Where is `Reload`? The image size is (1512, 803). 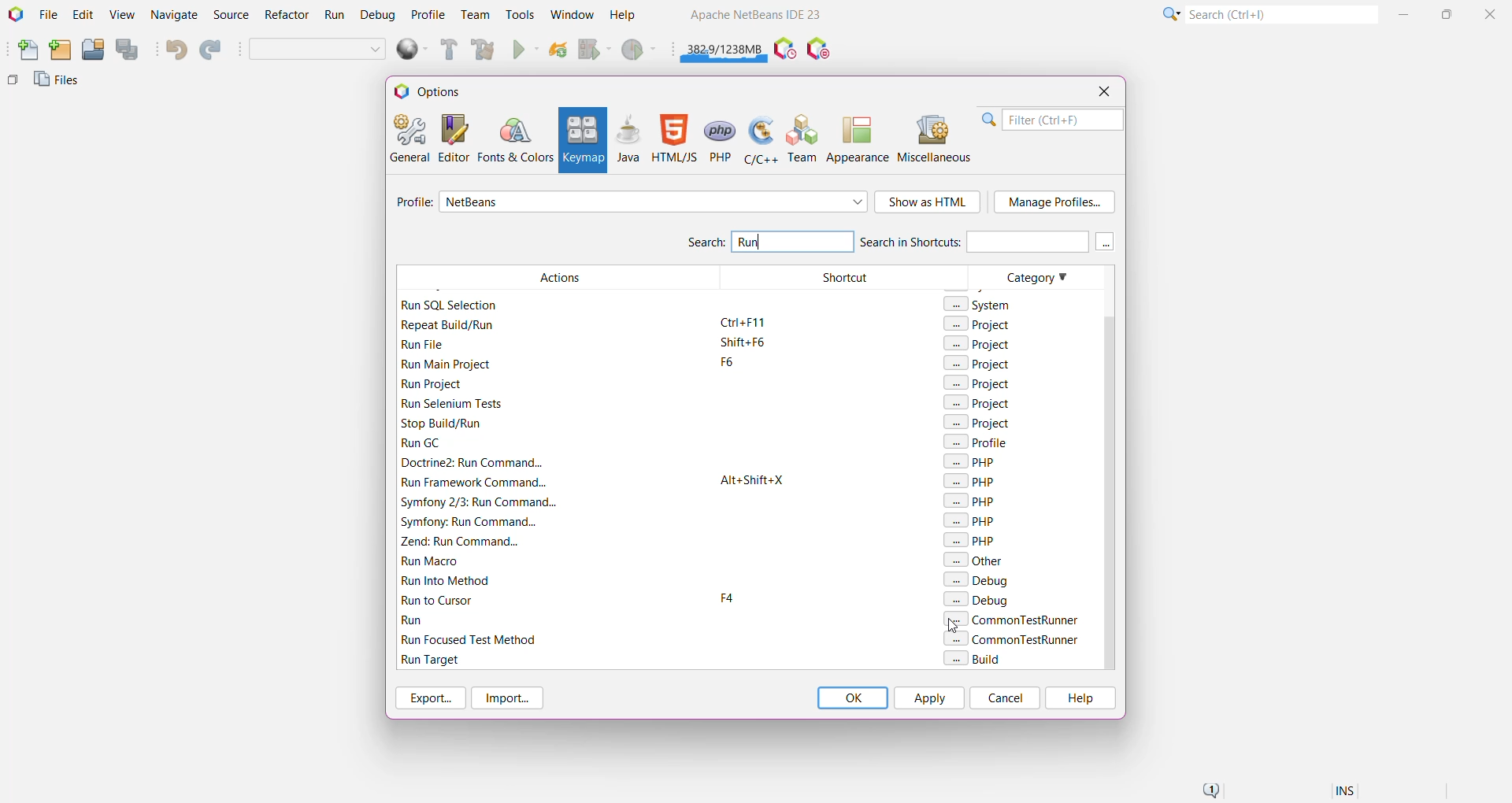 Reload is located at coordinates (558, 51).